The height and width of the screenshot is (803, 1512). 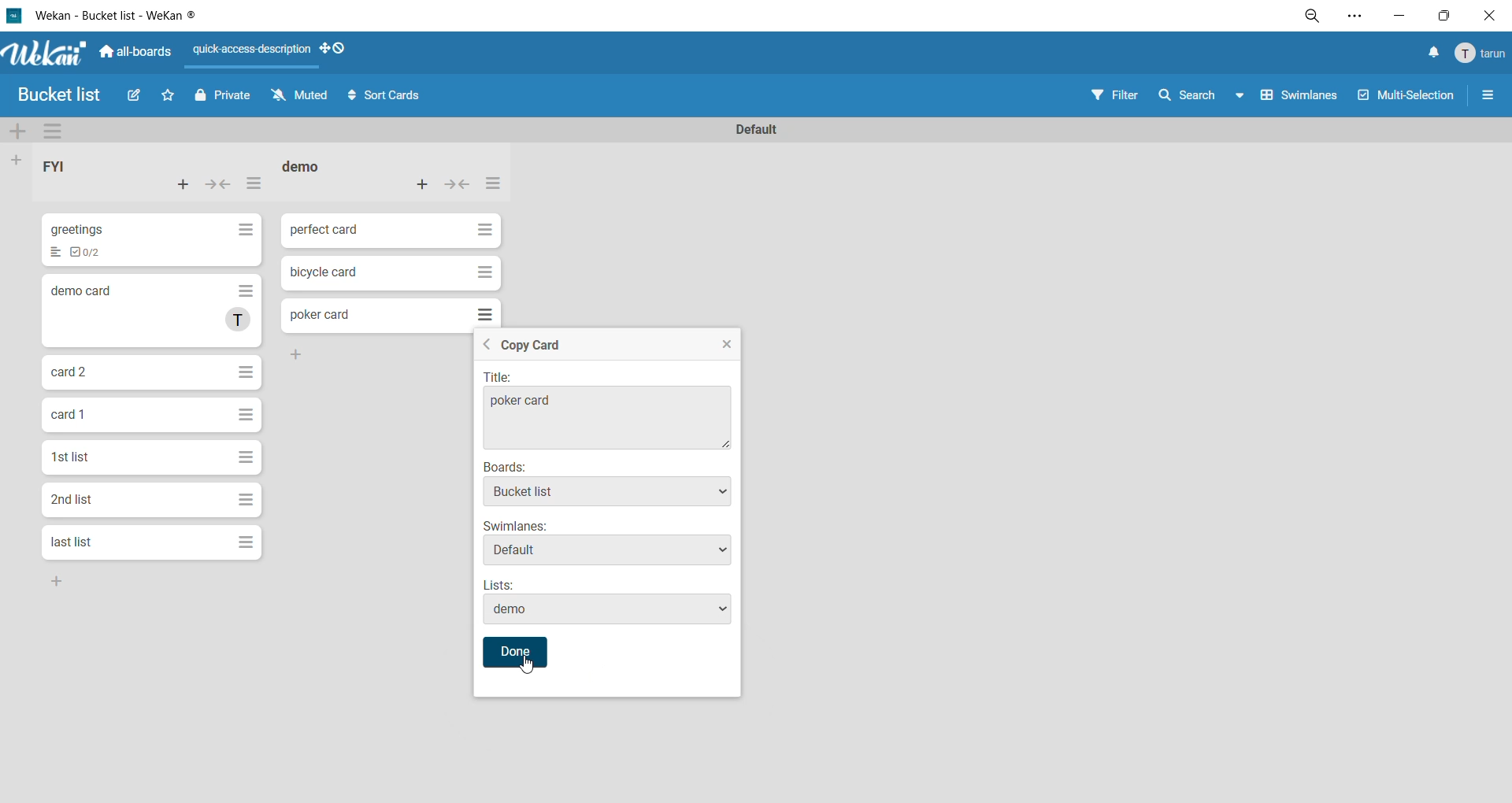 I want to click on swimlane title, so click(x=757, y=128).